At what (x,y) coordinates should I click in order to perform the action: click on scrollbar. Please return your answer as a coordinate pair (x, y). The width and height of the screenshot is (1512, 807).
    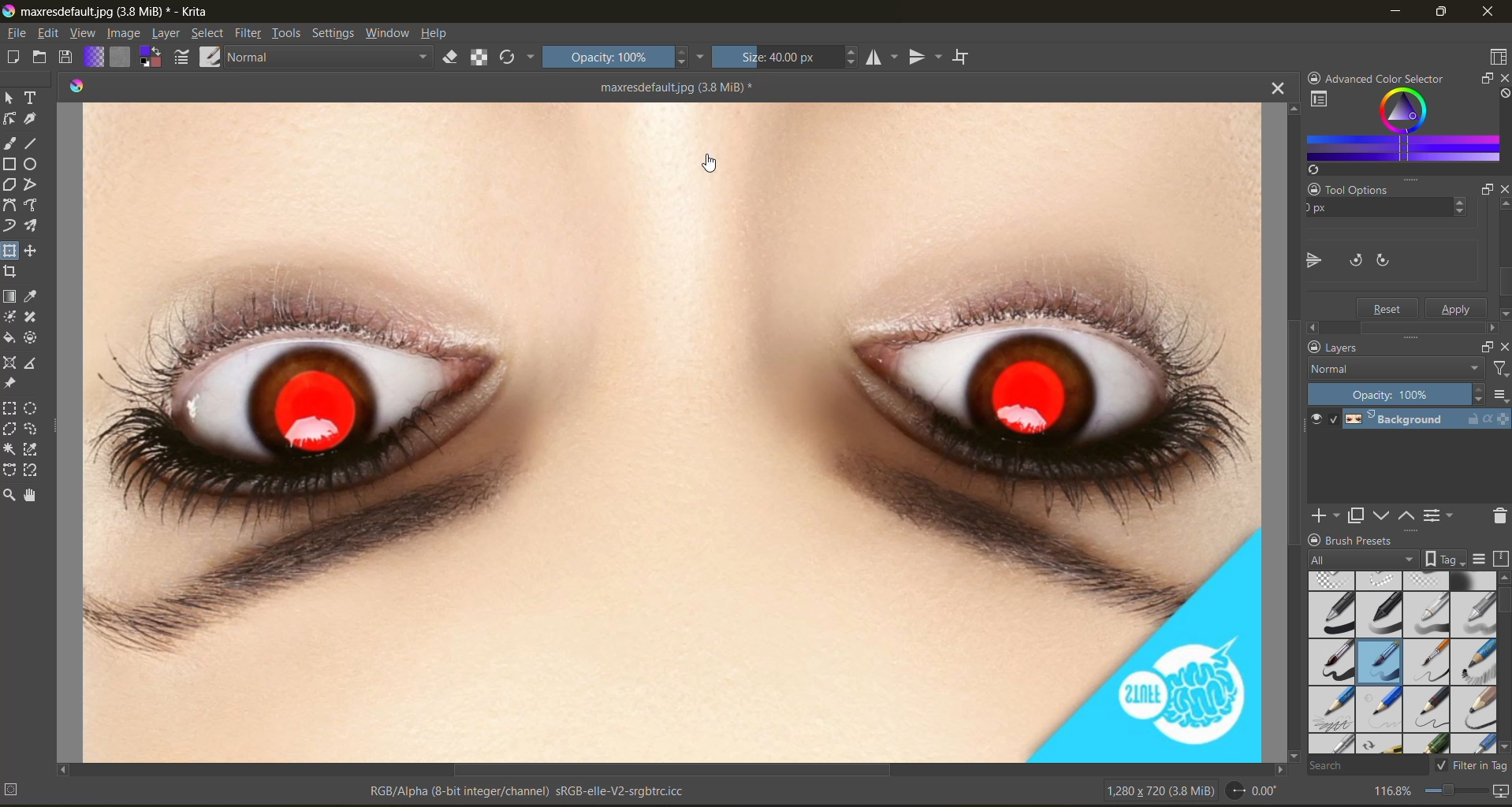
    Looking at the image, I should click on (1400, 326).